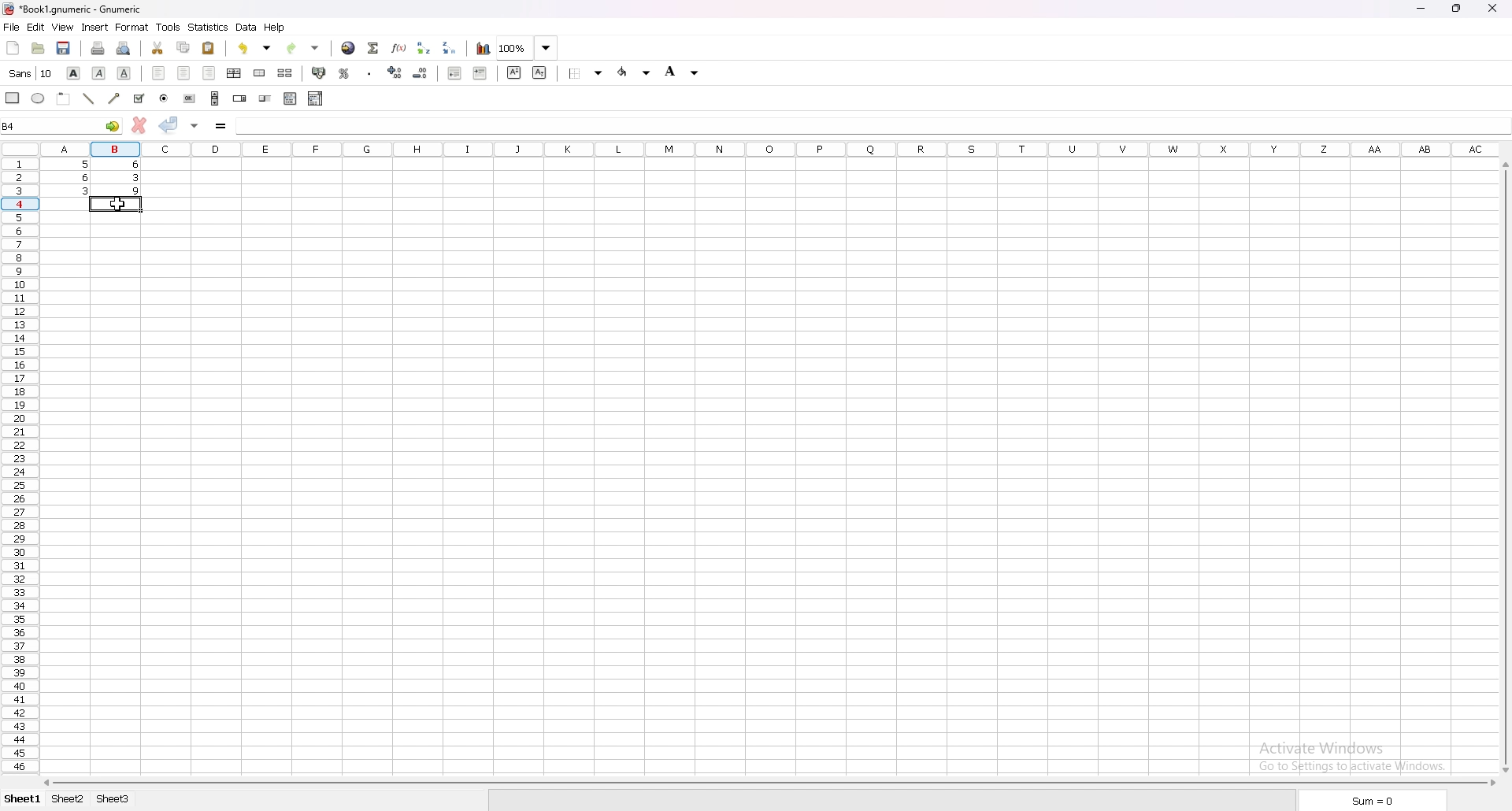 The image size is (1512, 811). I want to click on statistics, so click(209, 28).